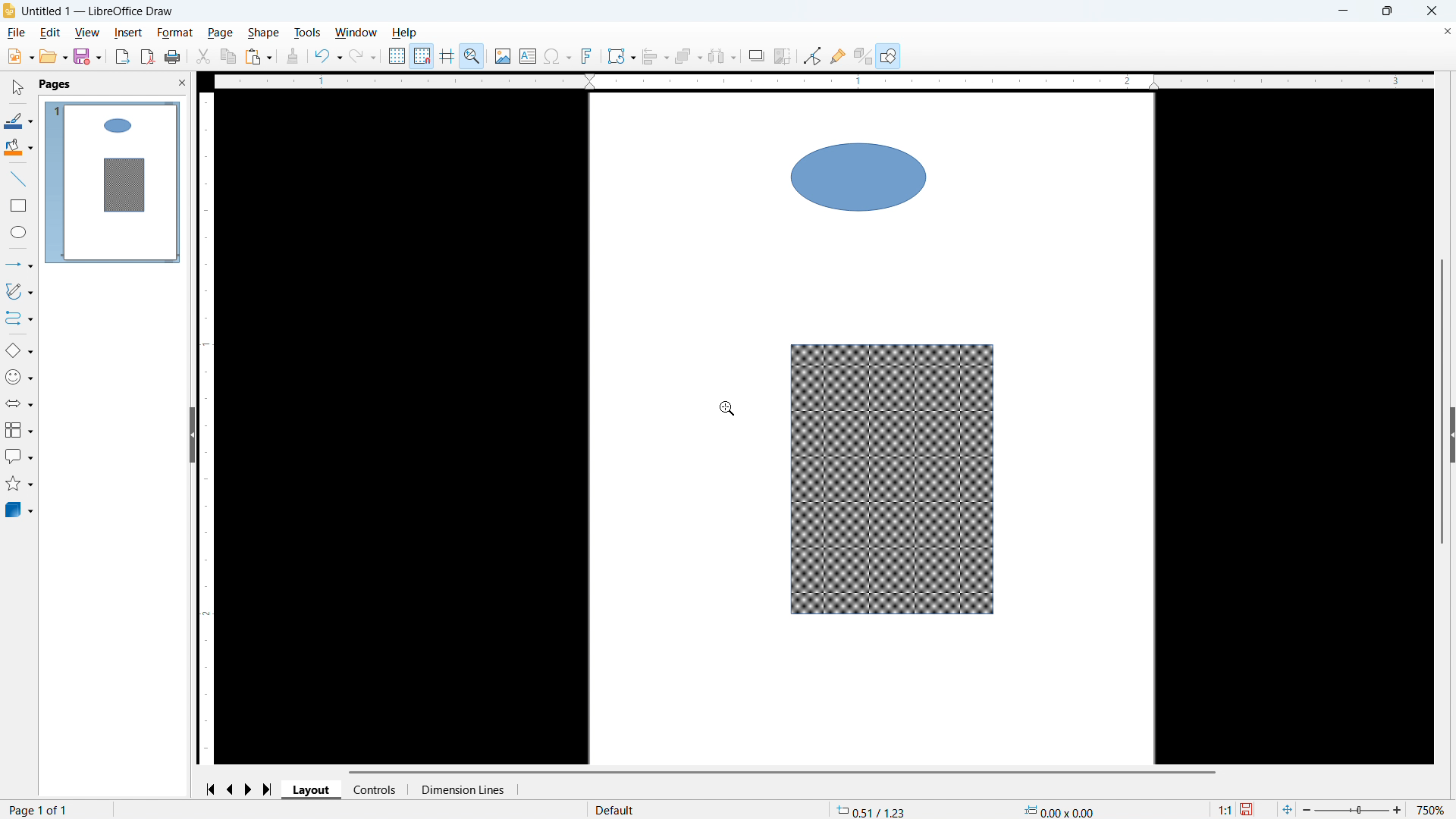 This screenshot has height=819, width=1456. What do you see at coordinates (1354, 811) in the screenshot?
I see `Zoom slider ` at bounding box center [1354, 811].